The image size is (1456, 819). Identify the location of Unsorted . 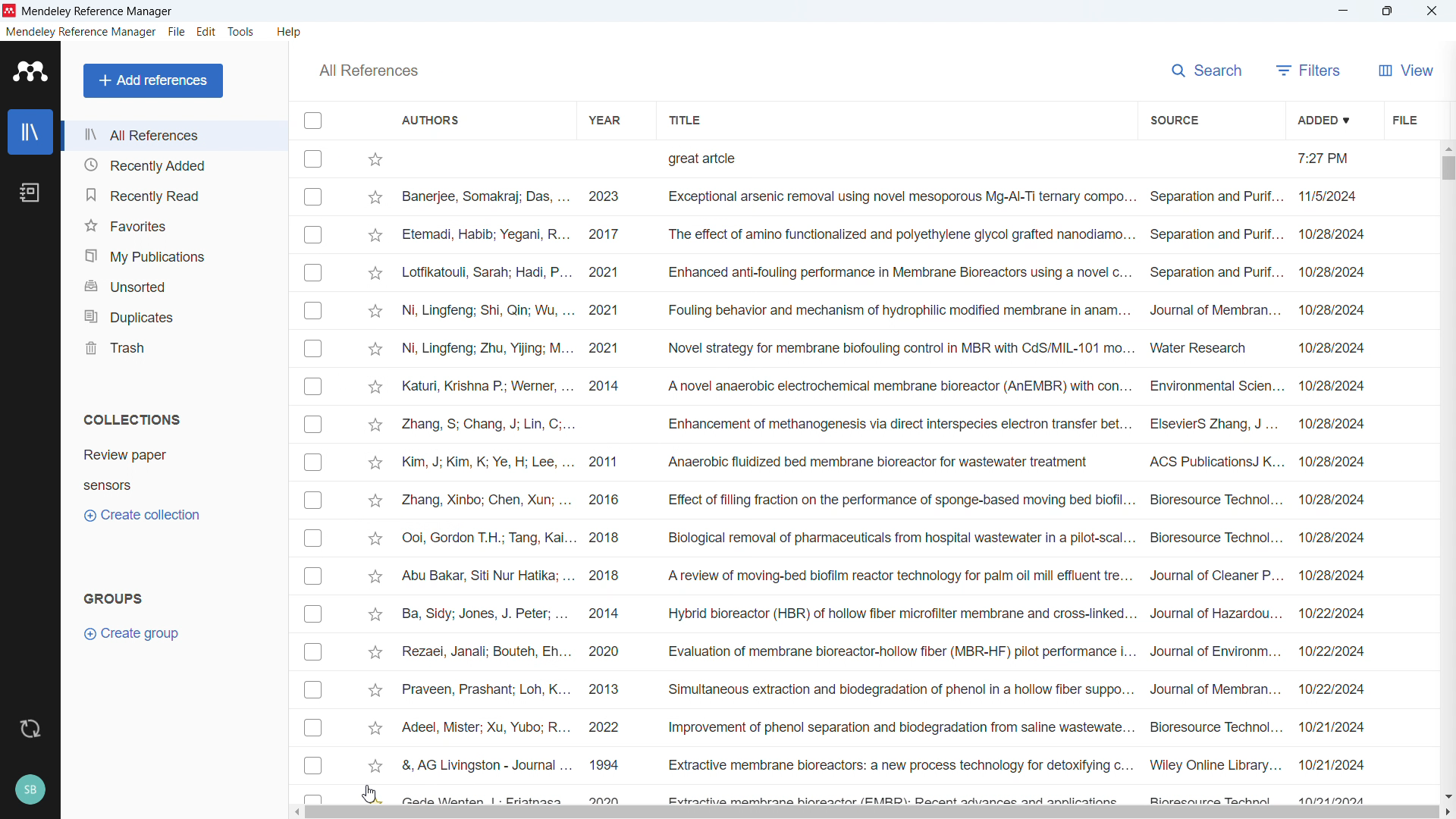
(174, 284).